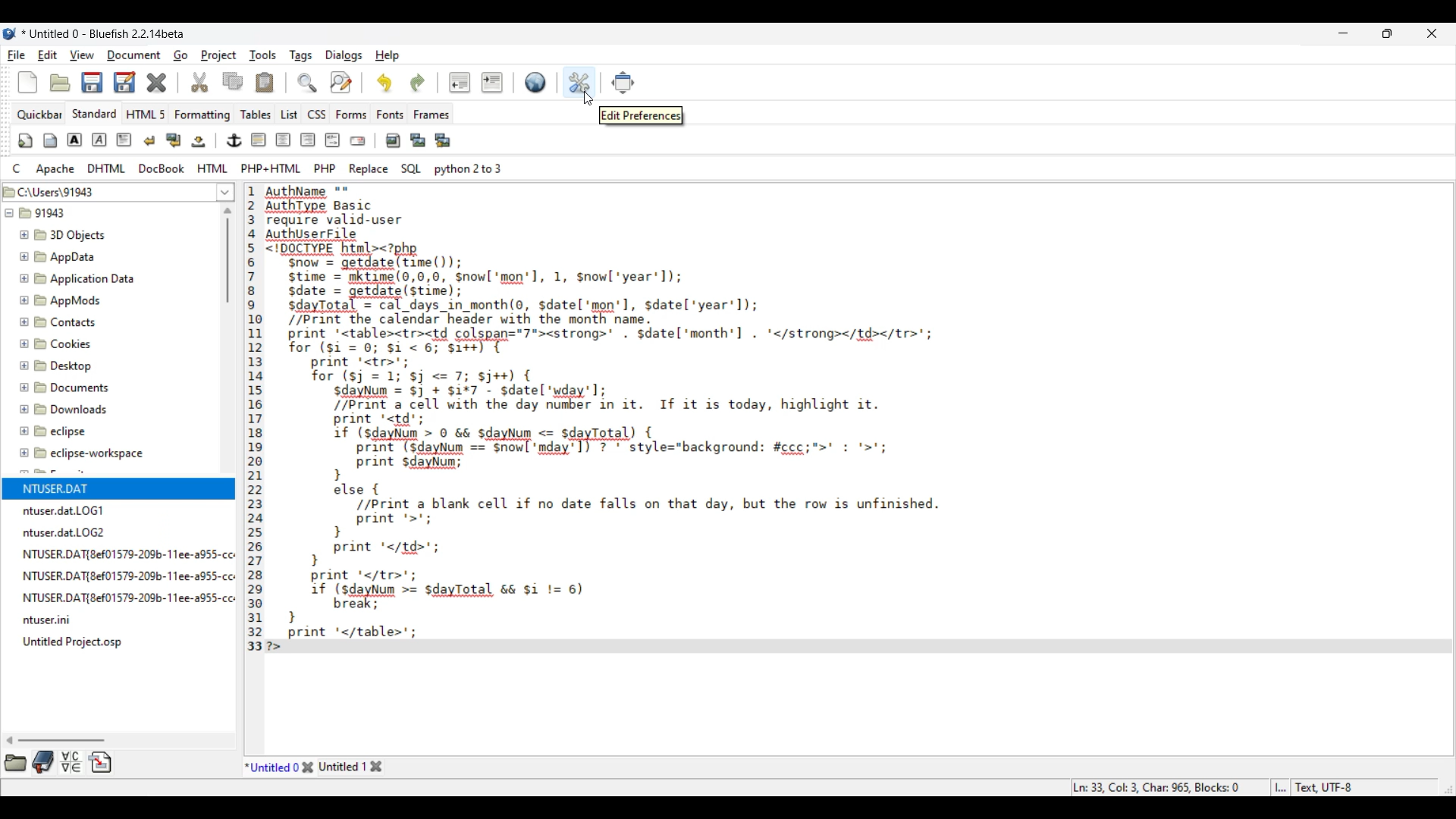 This screenshot has height=819, width=1456. Describe the element at coordinates (134, 55) in the screenshot. I see `Document menu` at that location.